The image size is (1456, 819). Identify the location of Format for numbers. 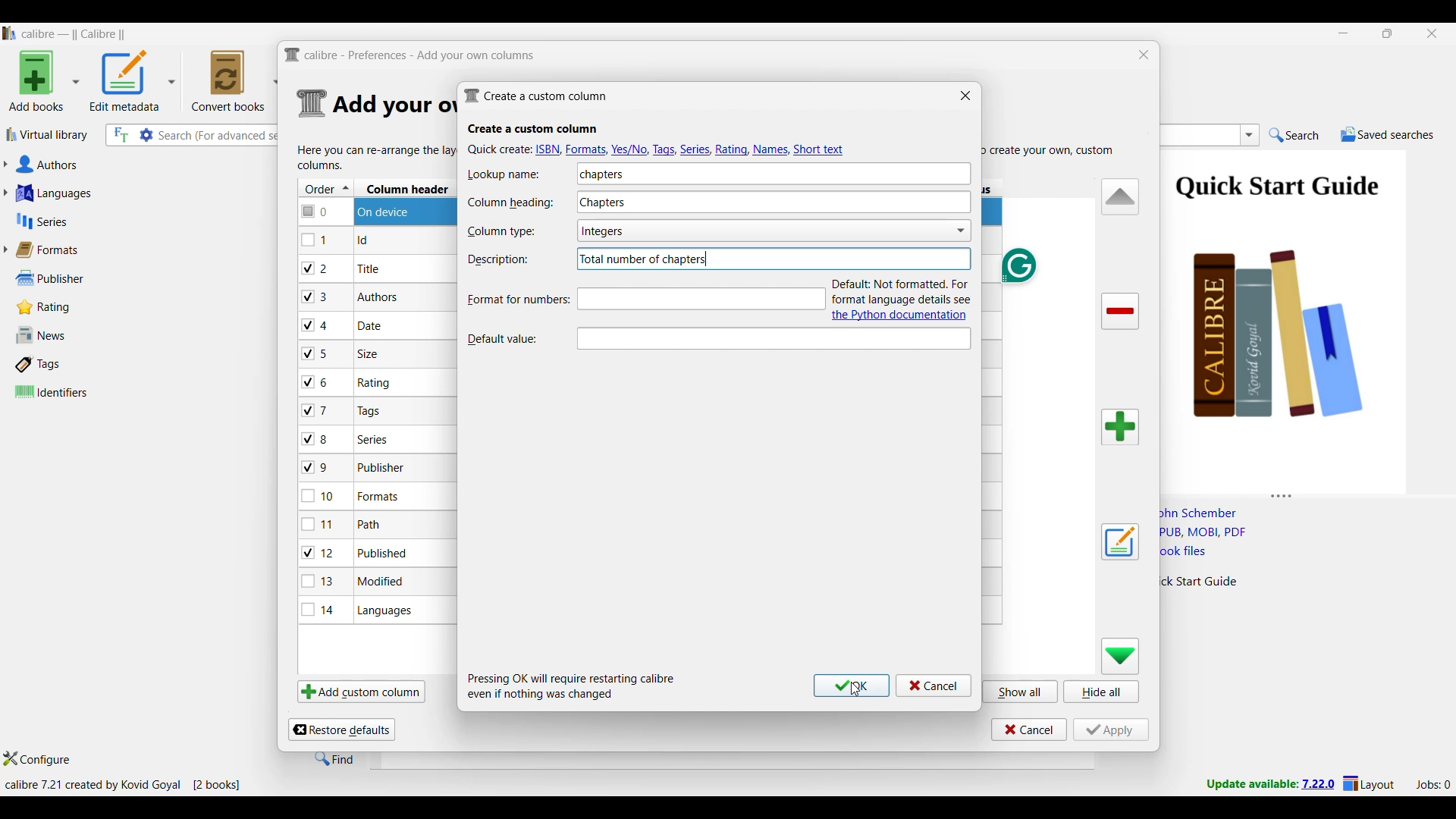
(513, 300).